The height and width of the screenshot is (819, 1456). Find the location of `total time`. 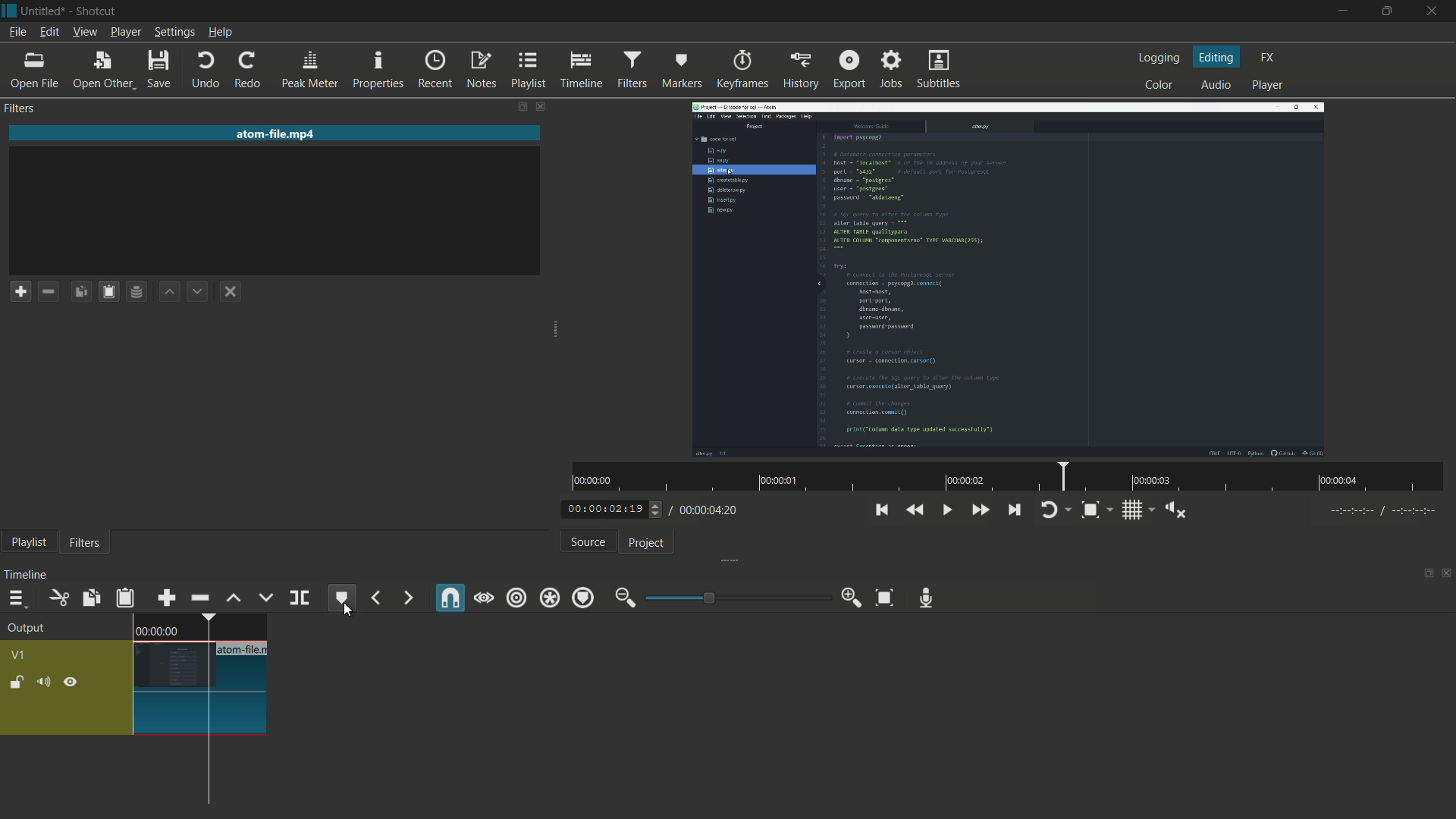

total time is located at coordinates (712, 513).